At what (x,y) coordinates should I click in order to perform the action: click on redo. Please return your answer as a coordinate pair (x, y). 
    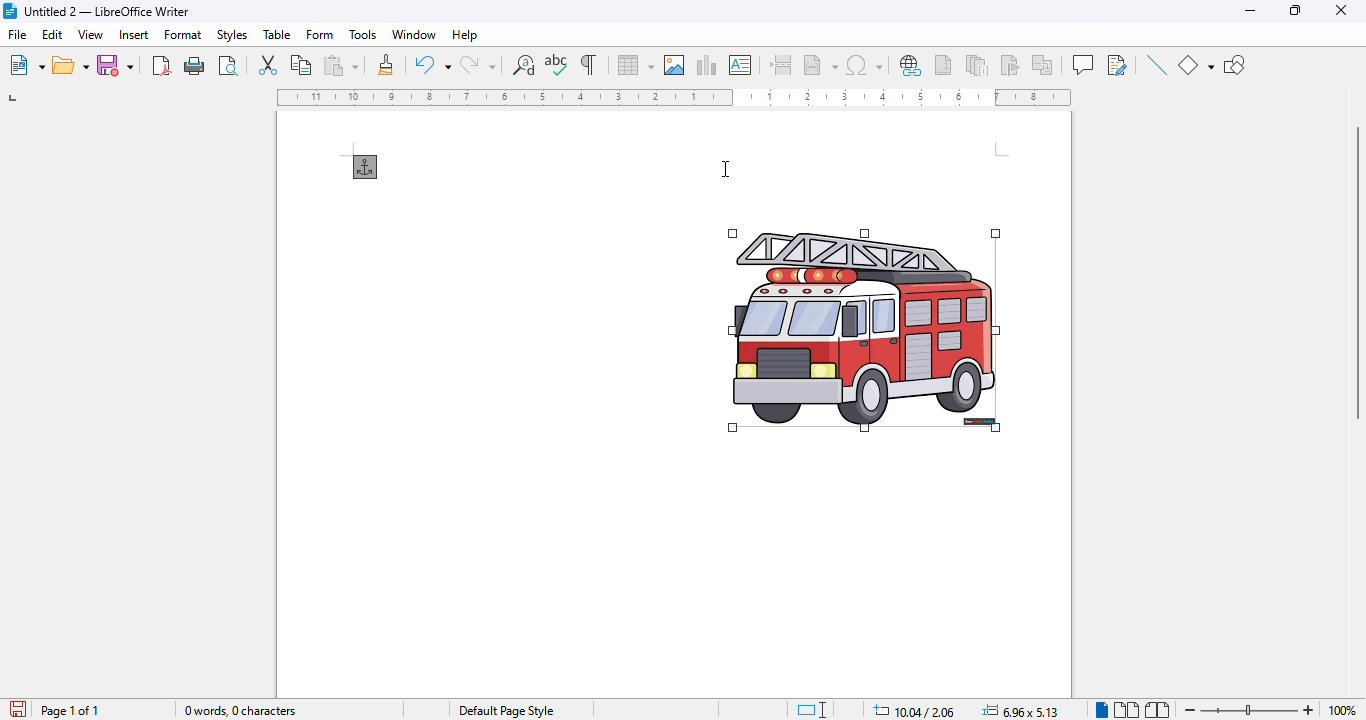
    Looking at the image, I should click on (478, 65).